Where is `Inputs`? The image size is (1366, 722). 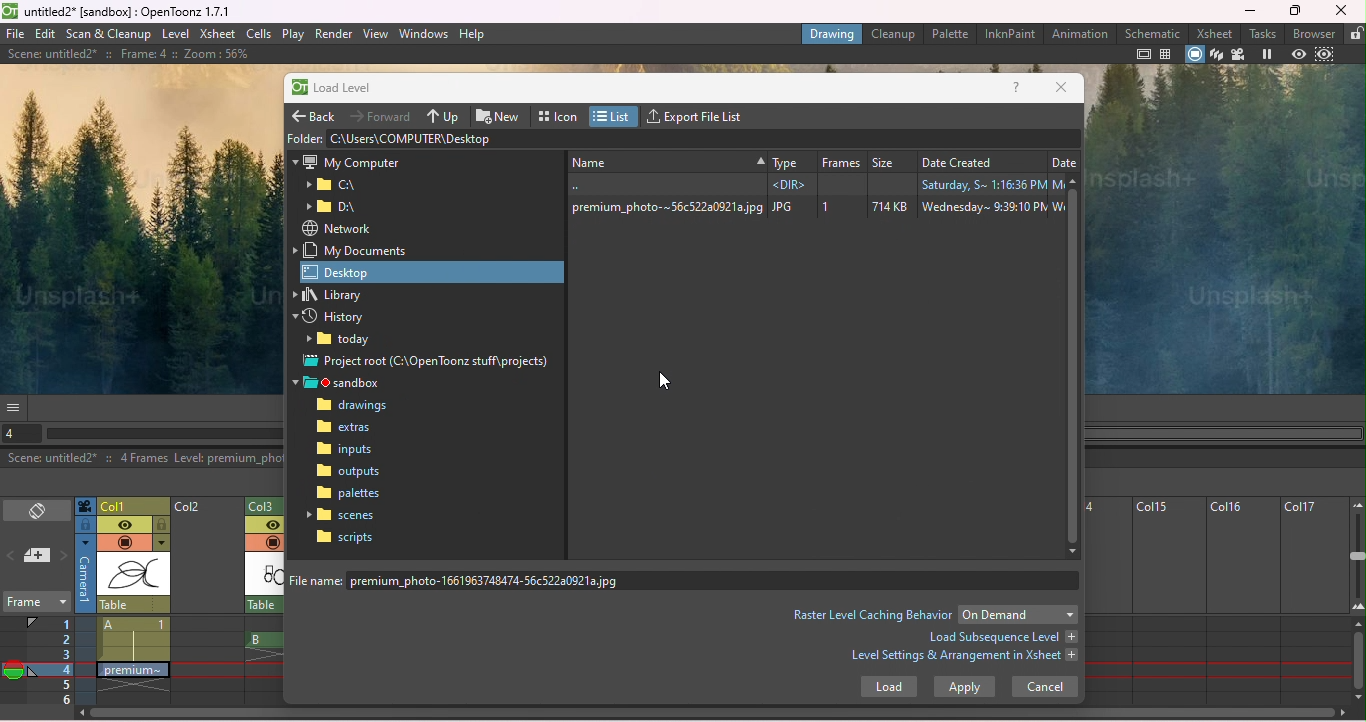
Inputs is located at coordinates (348, 451).